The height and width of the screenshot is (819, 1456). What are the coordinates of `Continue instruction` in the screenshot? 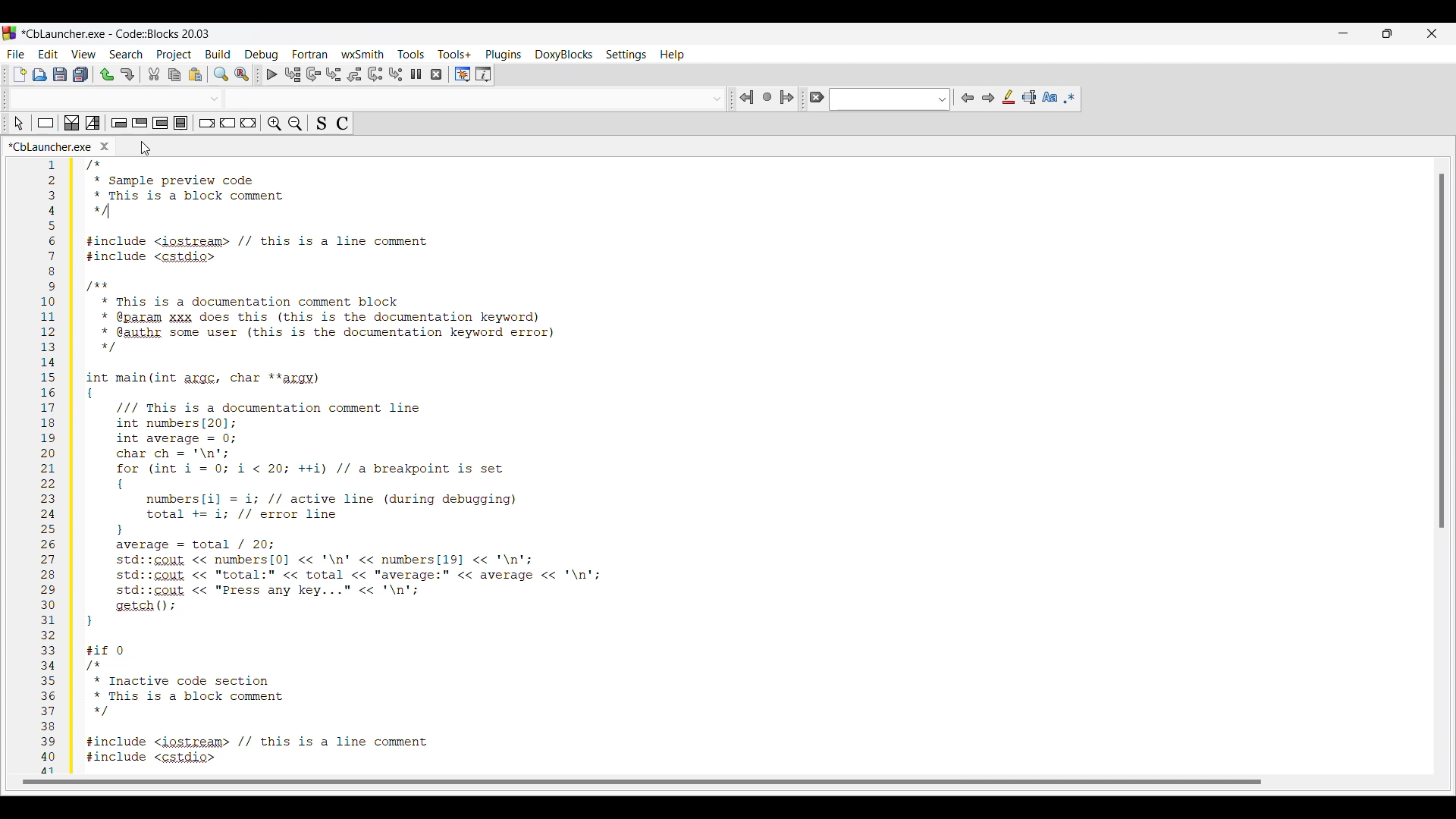 It's located at (227, 123).